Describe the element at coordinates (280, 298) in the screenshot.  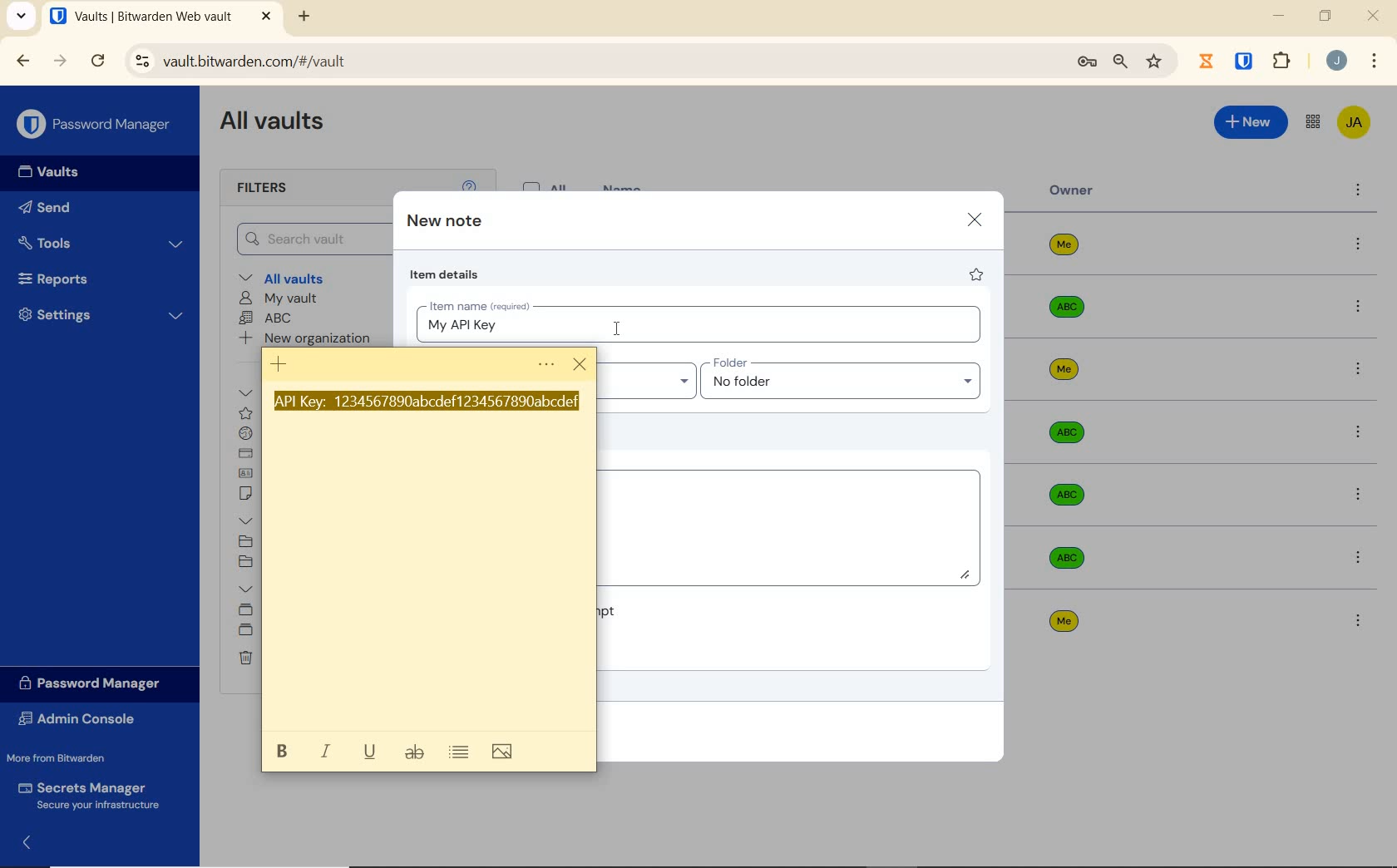
I see `My Vault` at that location.